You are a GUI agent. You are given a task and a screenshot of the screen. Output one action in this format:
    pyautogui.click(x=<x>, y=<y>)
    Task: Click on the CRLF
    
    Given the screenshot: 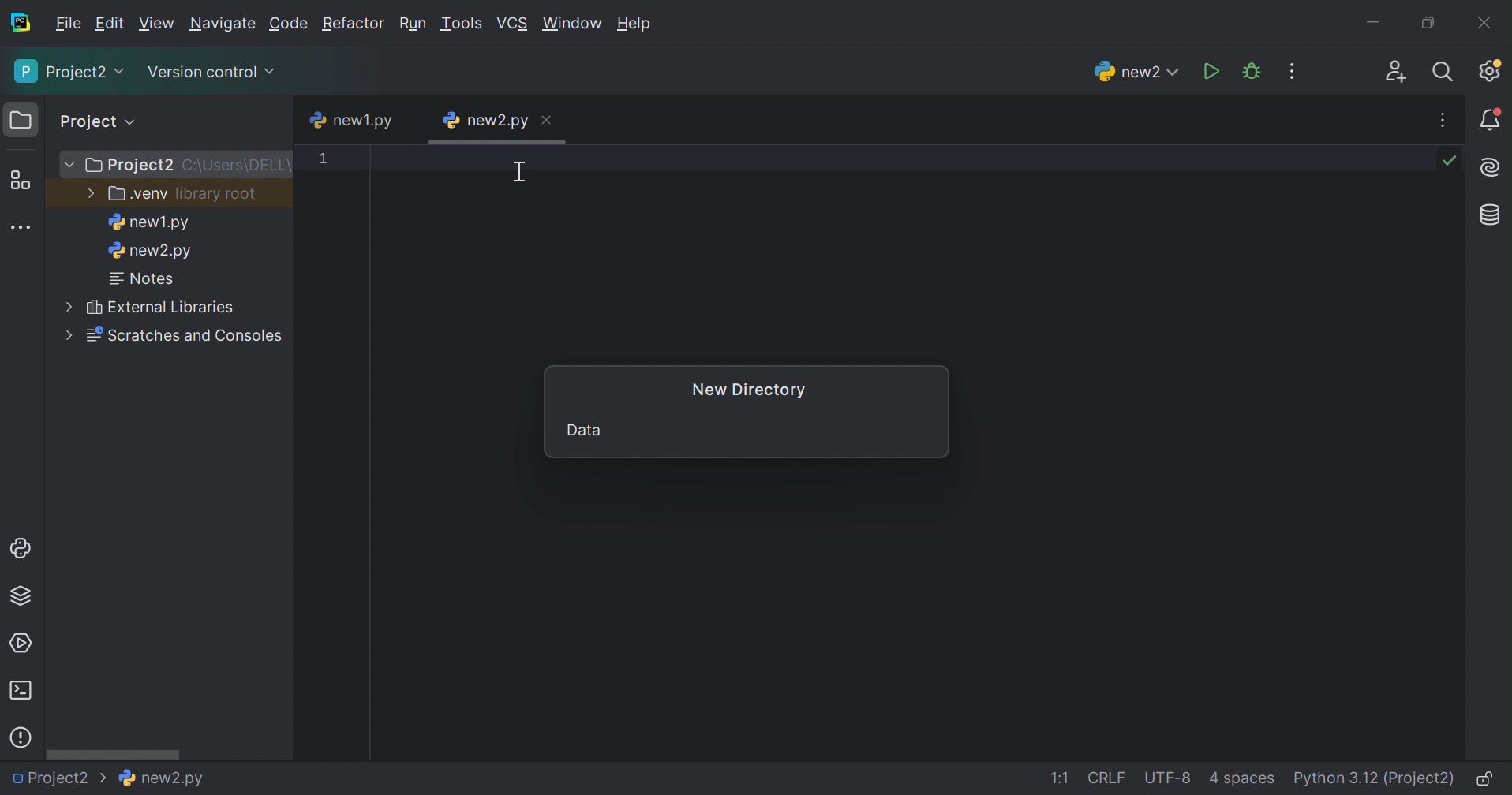 What is the action you would take?
    pyautogui.click(x=1108, y=778)
    